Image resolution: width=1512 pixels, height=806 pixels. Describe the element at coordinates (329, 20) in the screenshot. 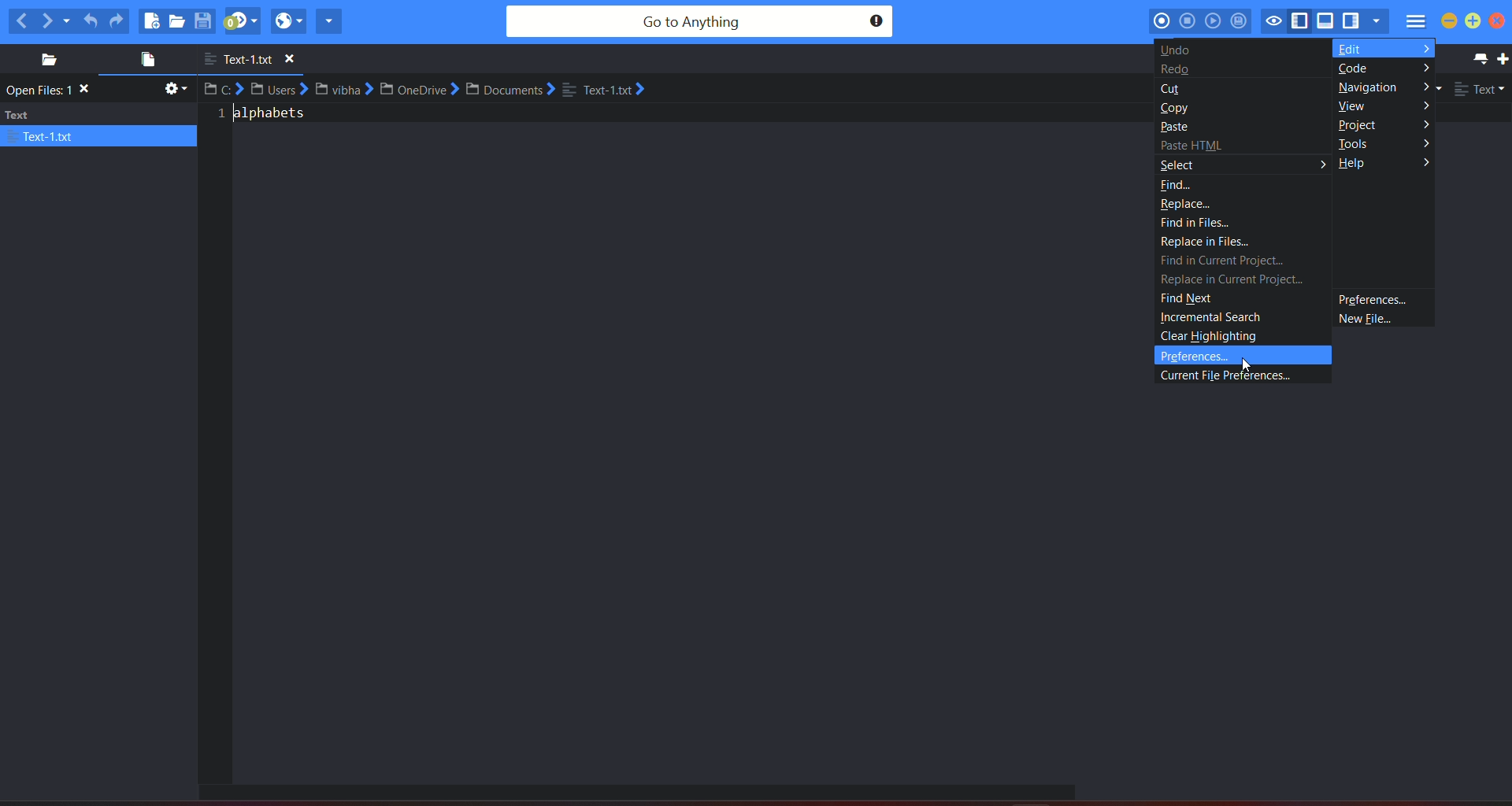

I see `share current file` at that location.